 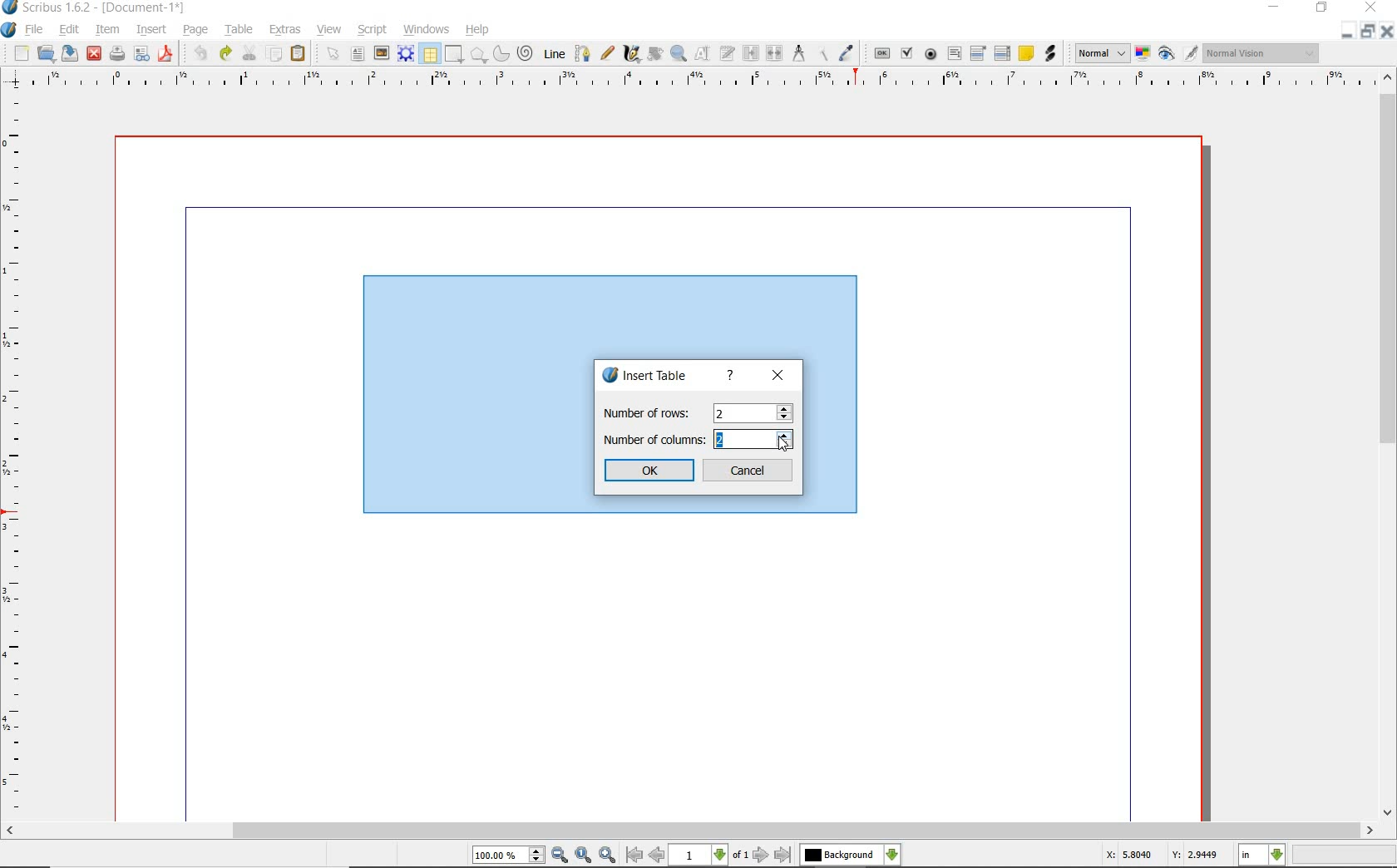 I want to click on line, so click(x=555, y=52).